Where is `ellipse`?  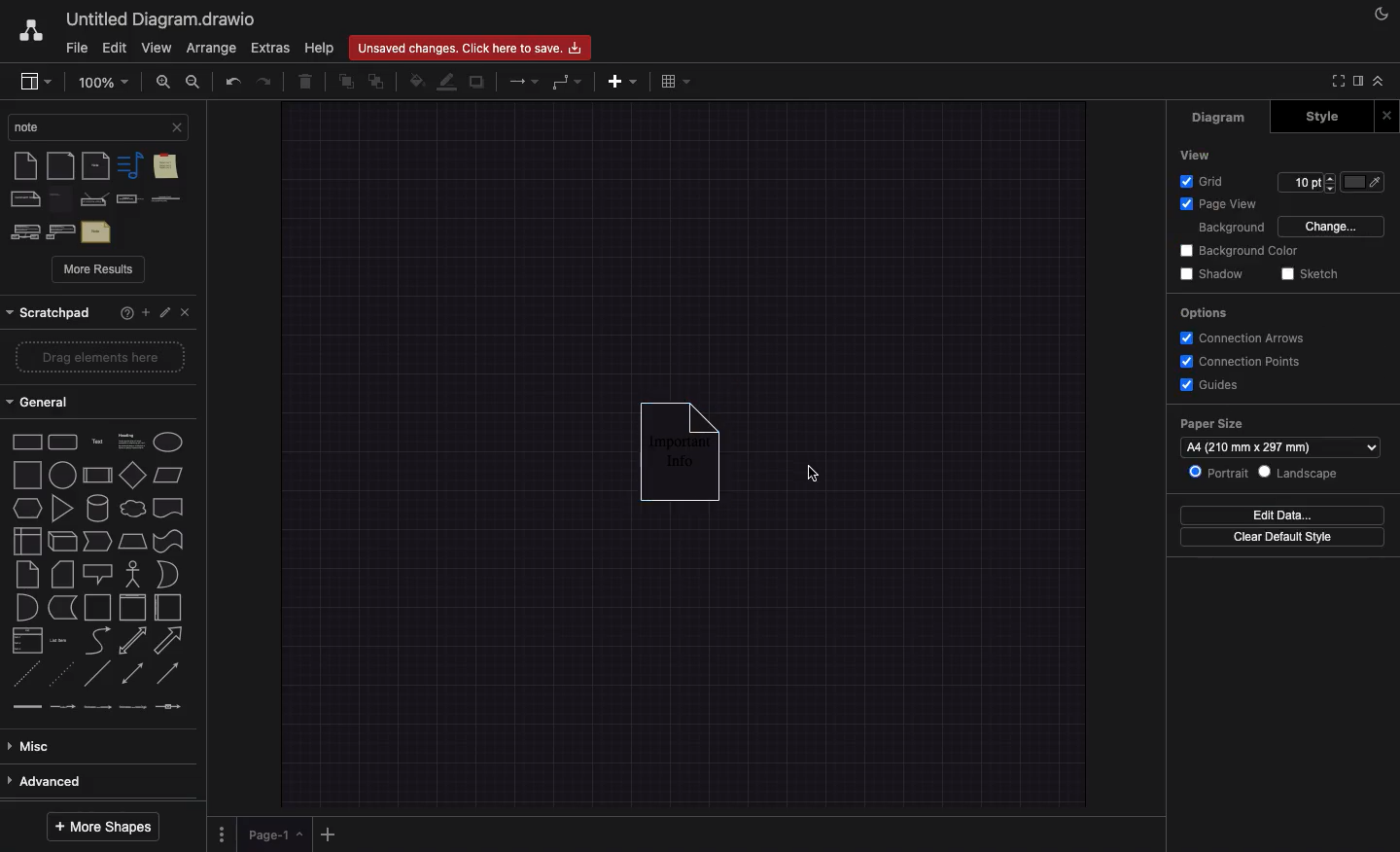
ellipse is located at coordinates (169, 442).